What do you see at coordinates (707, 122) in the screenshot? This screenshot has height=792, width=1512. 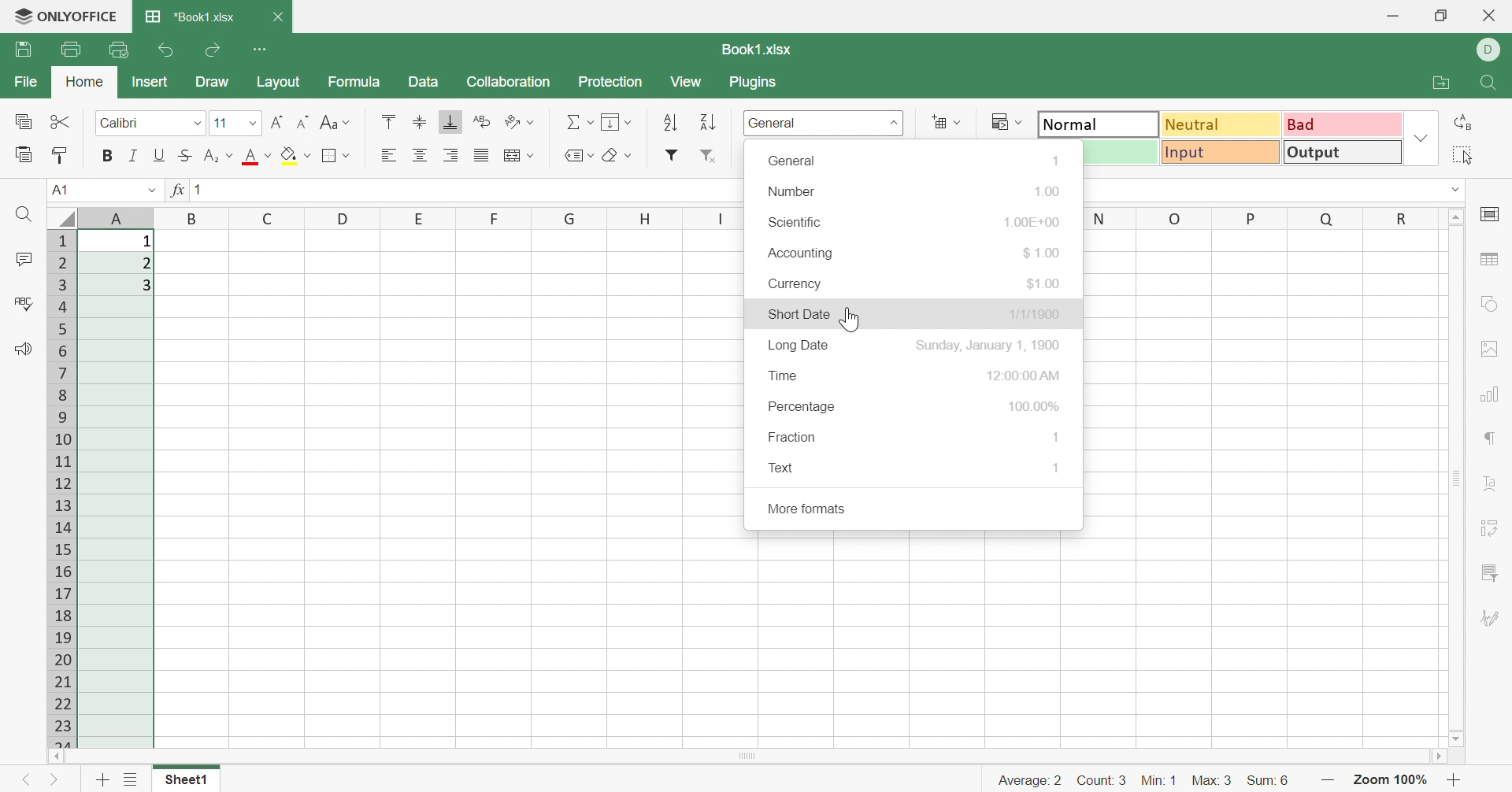 I see `Sort descending` at bounding box center [707, 122].